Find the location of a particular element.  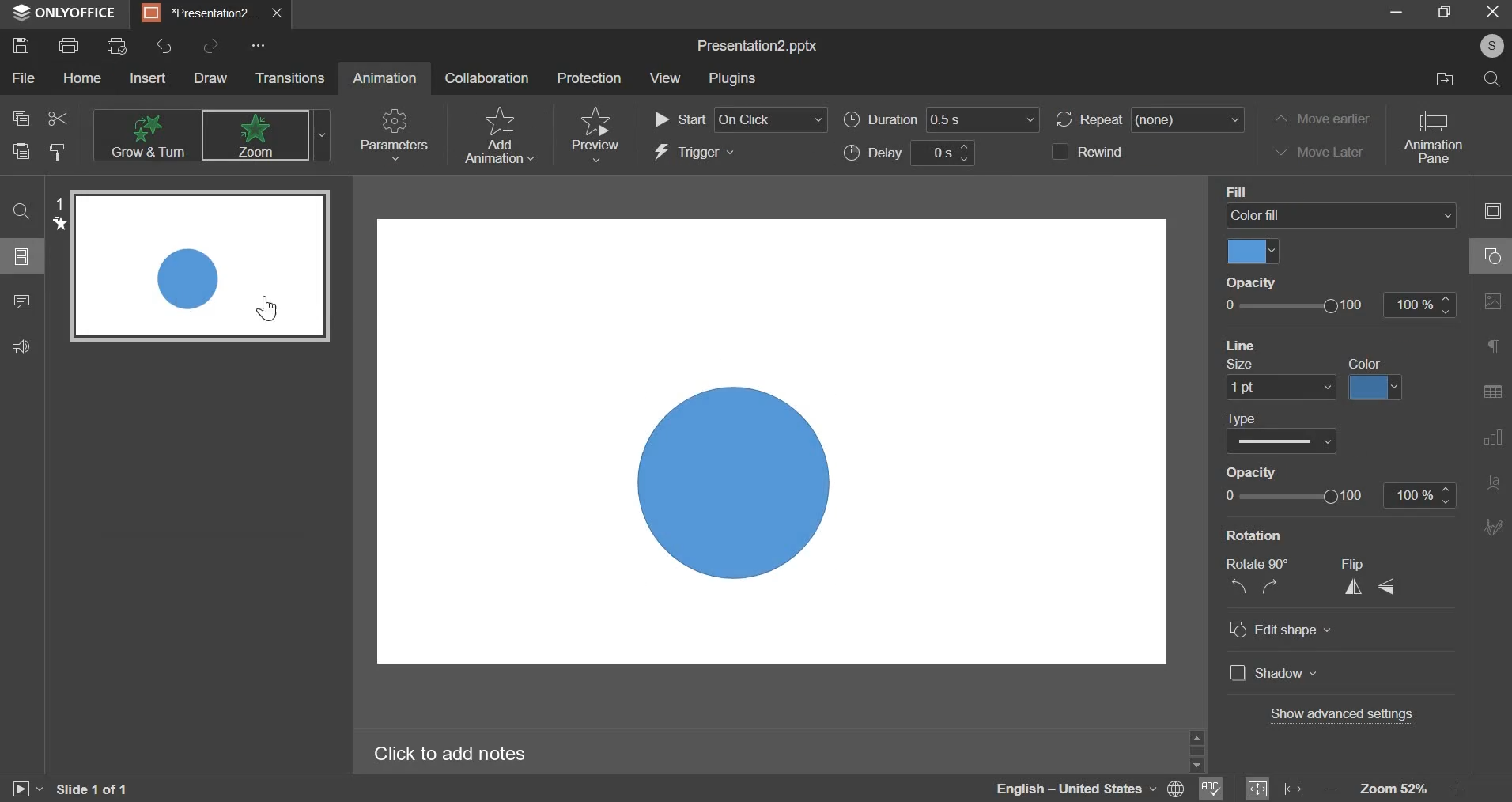

print is located at coordinates (70, 44).